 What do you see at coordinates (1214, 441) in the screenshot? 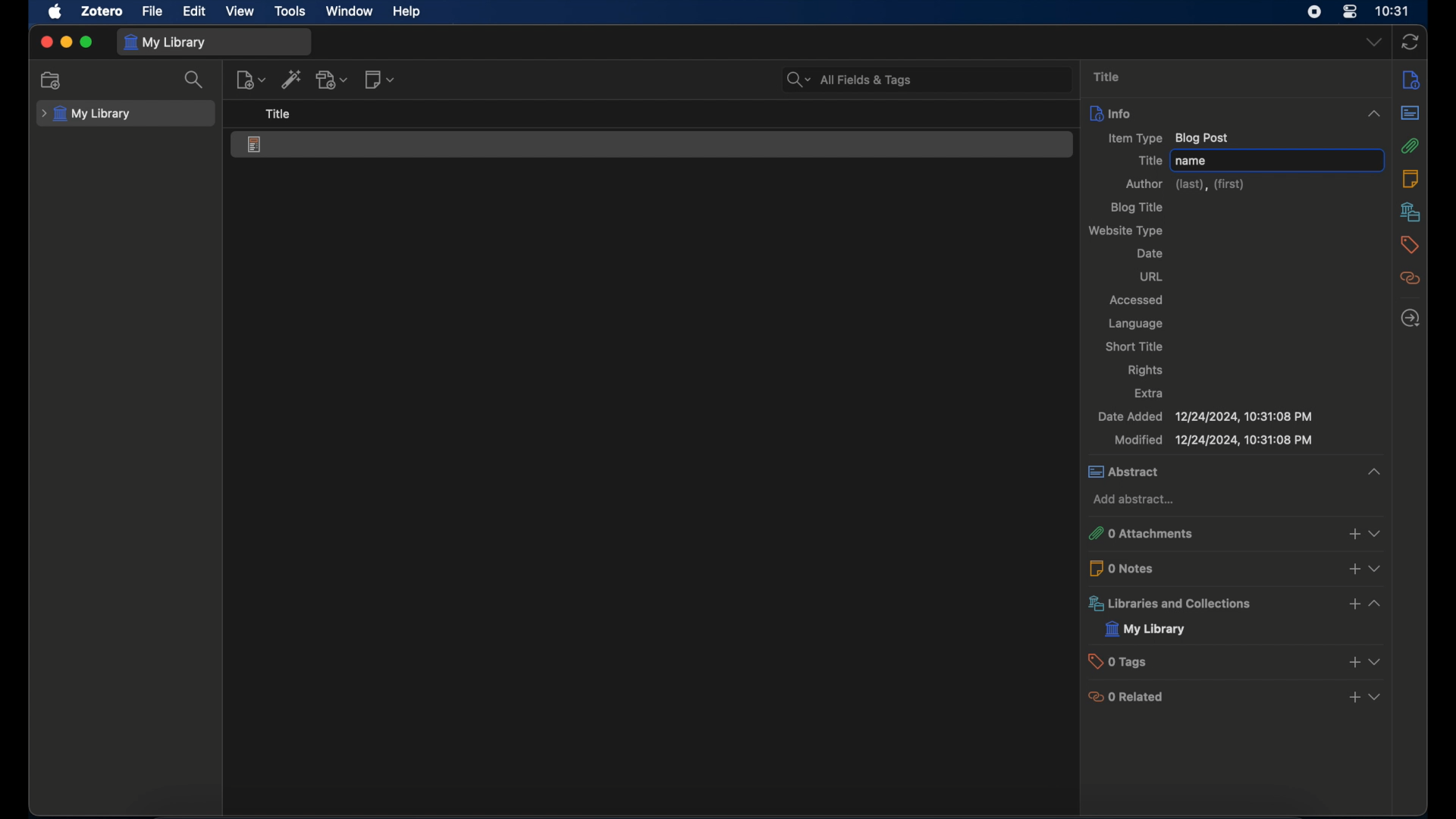
I see `modified` at bounding box center [1214, 441].